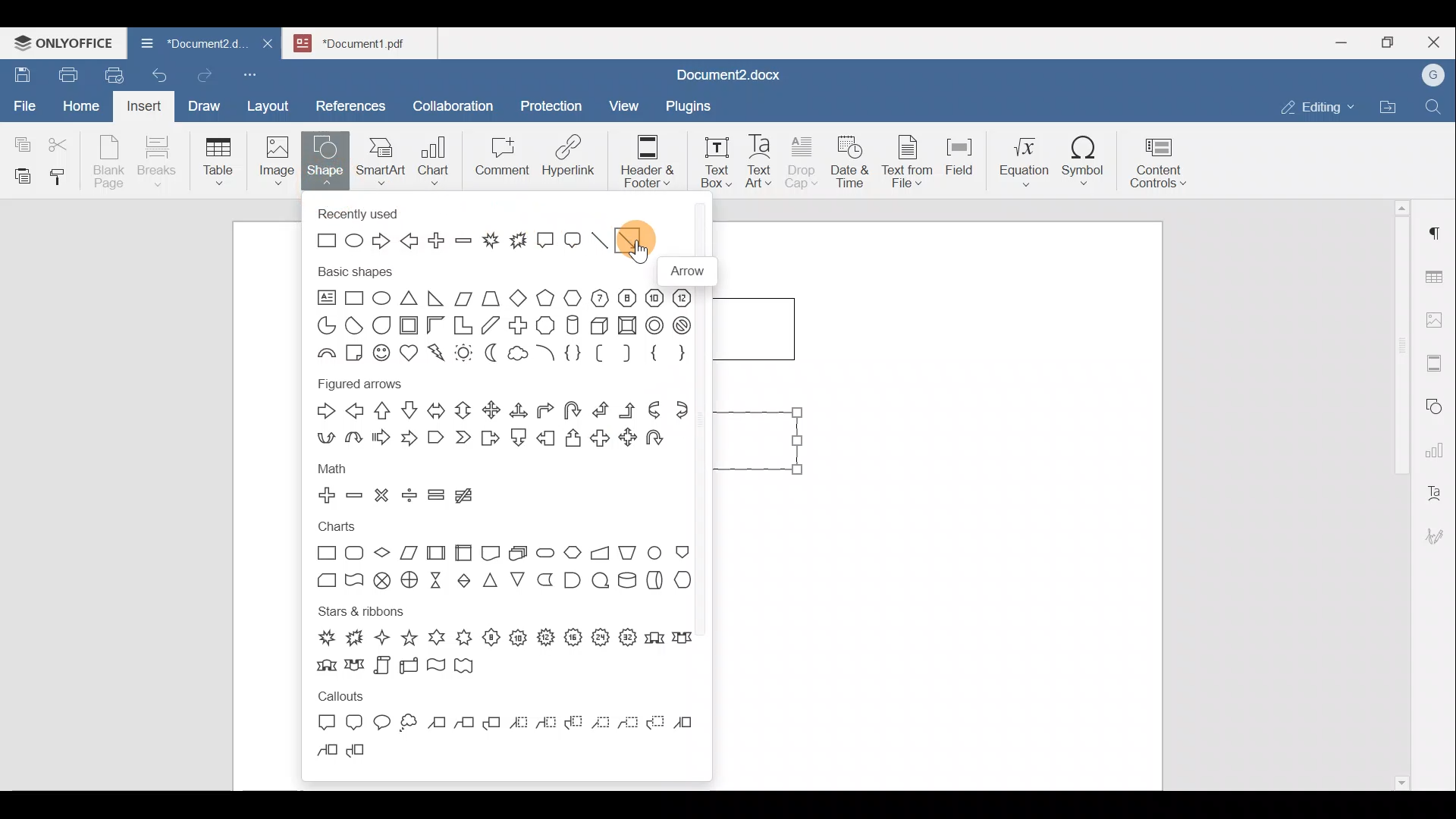 This screenshot has height=819, width=1456. Describe the element at coordinates (496, 232) in the screenshot. I see `Recently used shapes` at that location.